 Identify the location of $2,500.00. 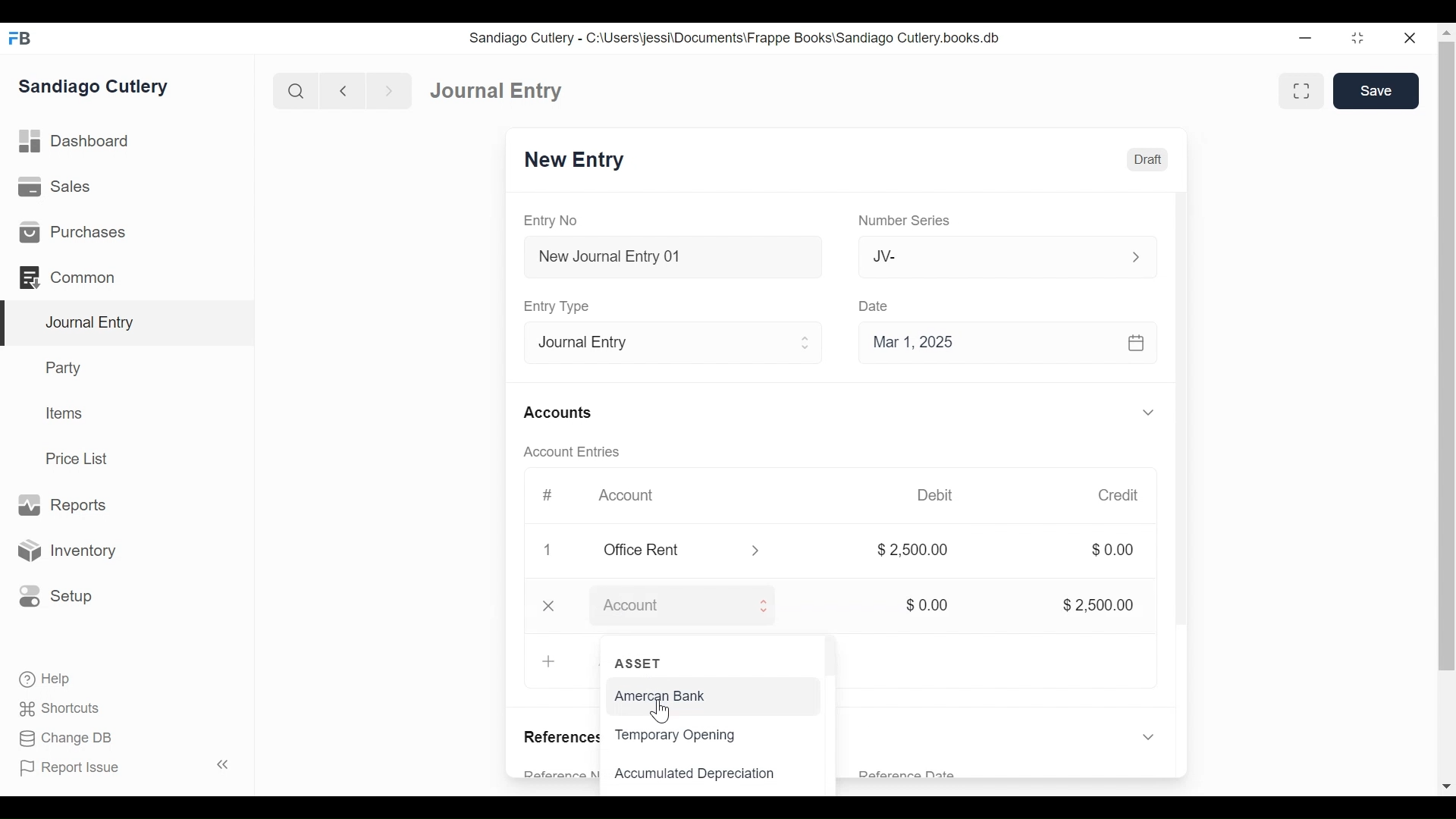
(1099, 604).